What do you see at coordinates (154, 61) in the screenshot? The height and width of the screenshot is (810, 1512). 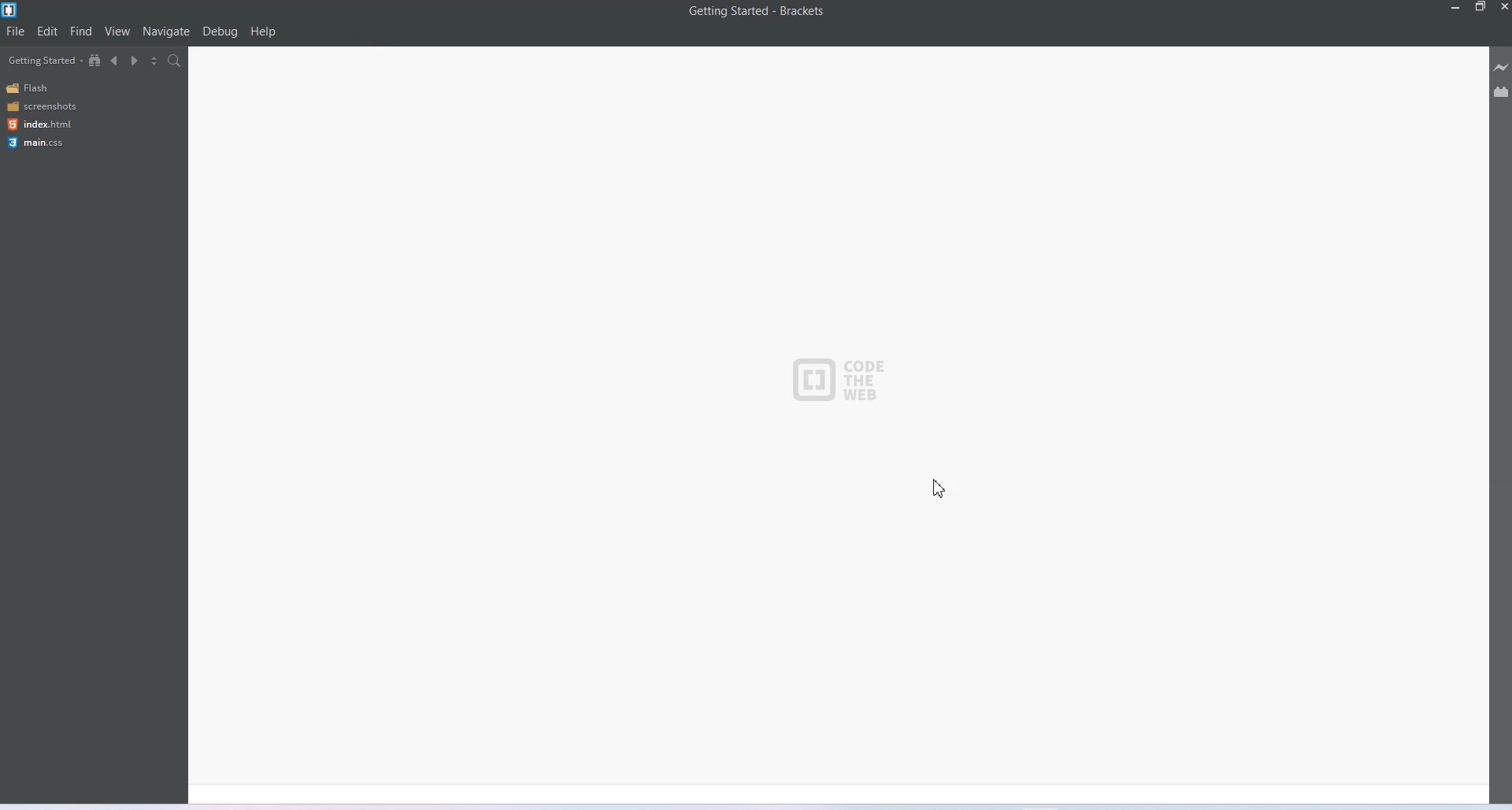 I see `Split the editor vertically and horizontally` at bounding box center [154, 61].